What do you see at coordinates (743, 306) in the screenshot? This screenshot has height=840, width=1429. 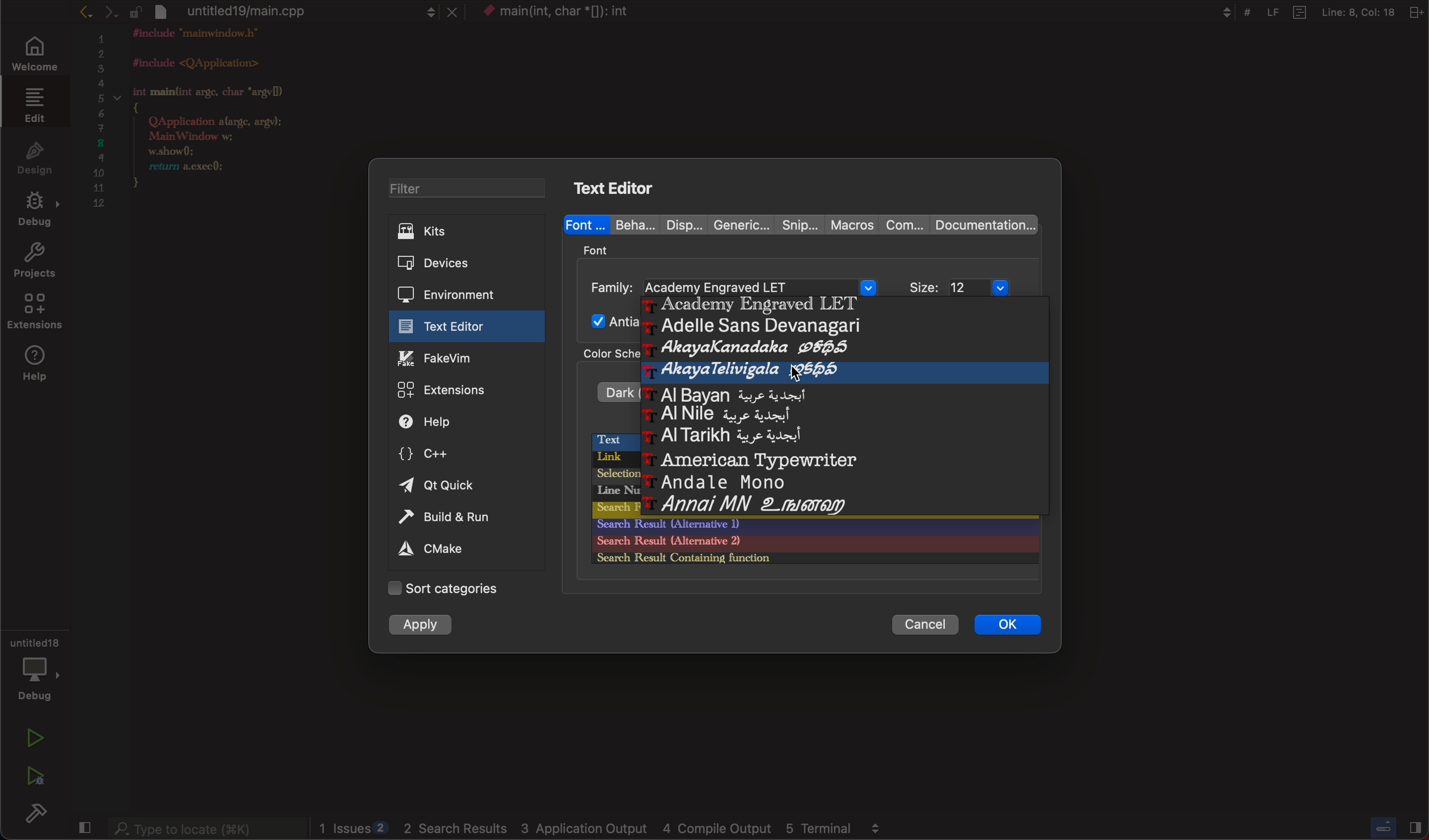 I see `ACADEMY ` at bounding box center [743, 306].